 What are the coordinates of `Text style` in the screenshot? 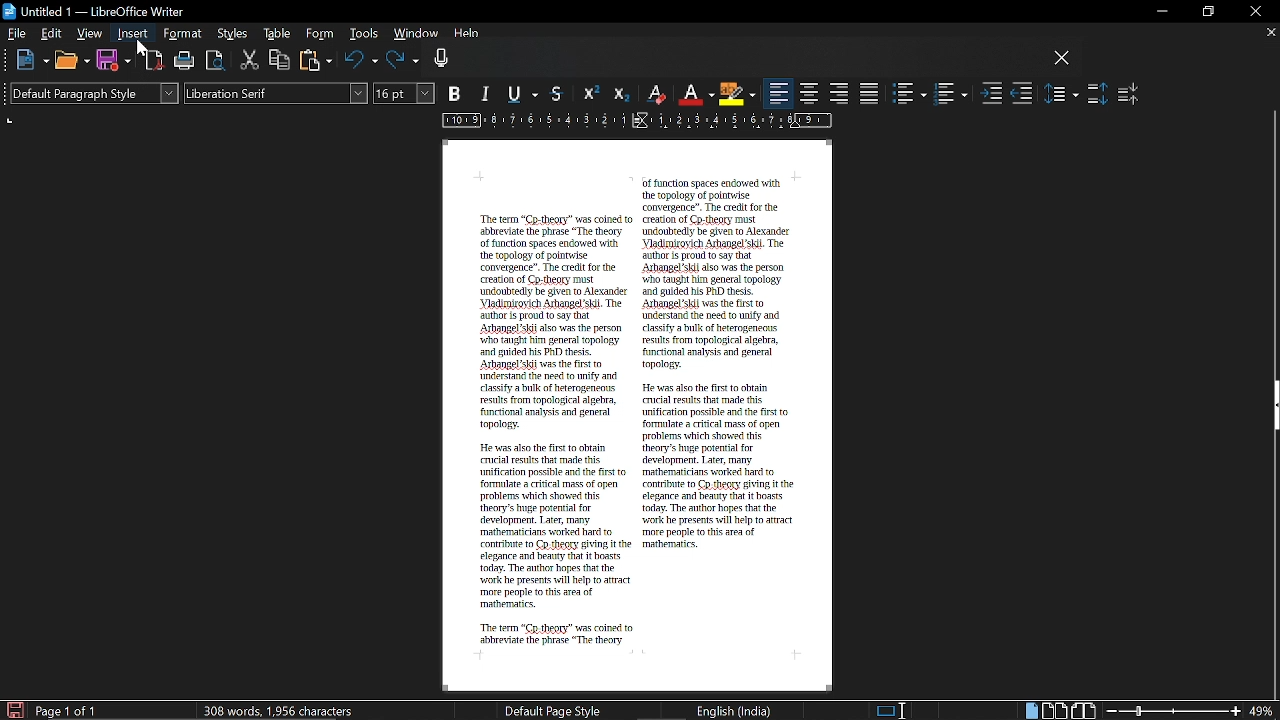 It's located at (276, 94).